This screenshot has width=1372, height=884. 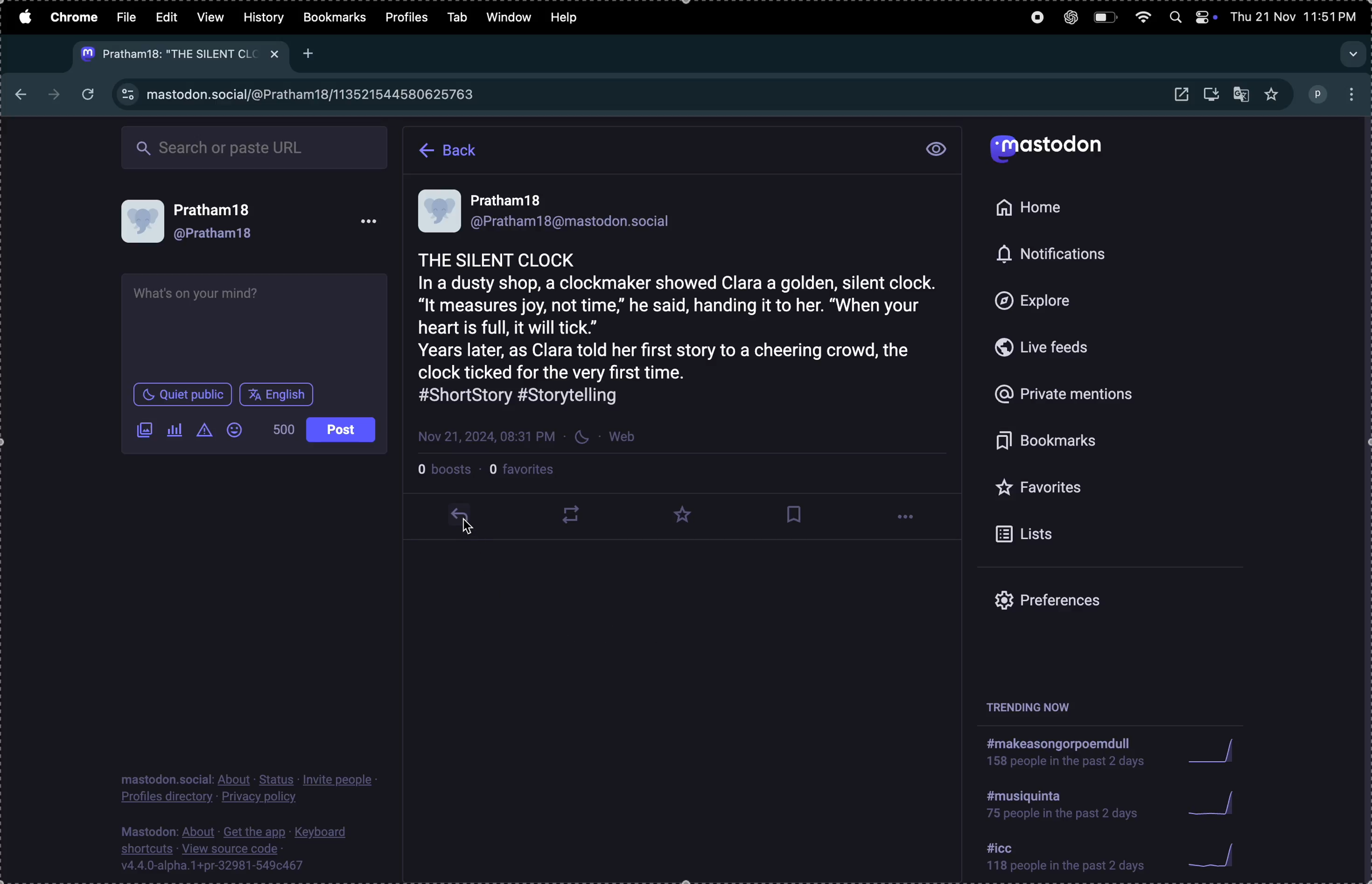 What do you see at coordinates (795, 514) in the screenshot?
I see `bookmark` at bounding box center [795, 514].